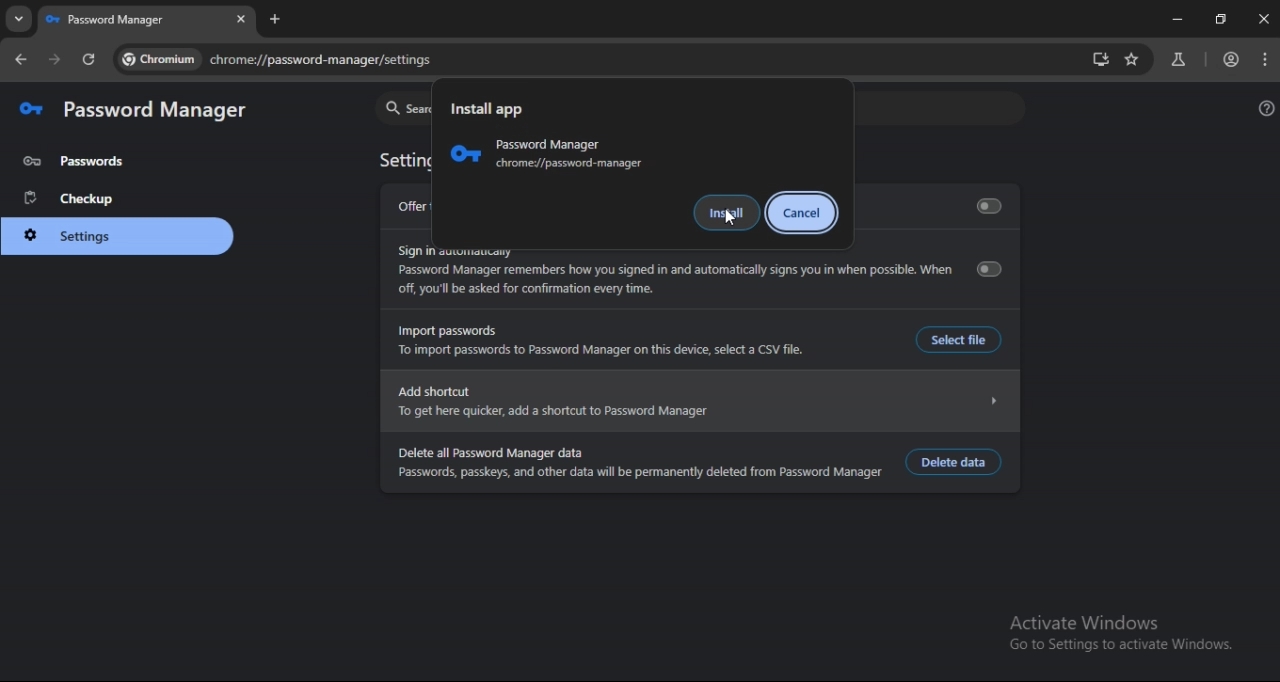  Describe the element at coordinates (700, 278) in the screenshot. I see `Sign in automaticallyPassword Manager remembers how you signed in and automatically signs you in when possible. Whenoff, you'll be asked for confirmation every time.` at that location.